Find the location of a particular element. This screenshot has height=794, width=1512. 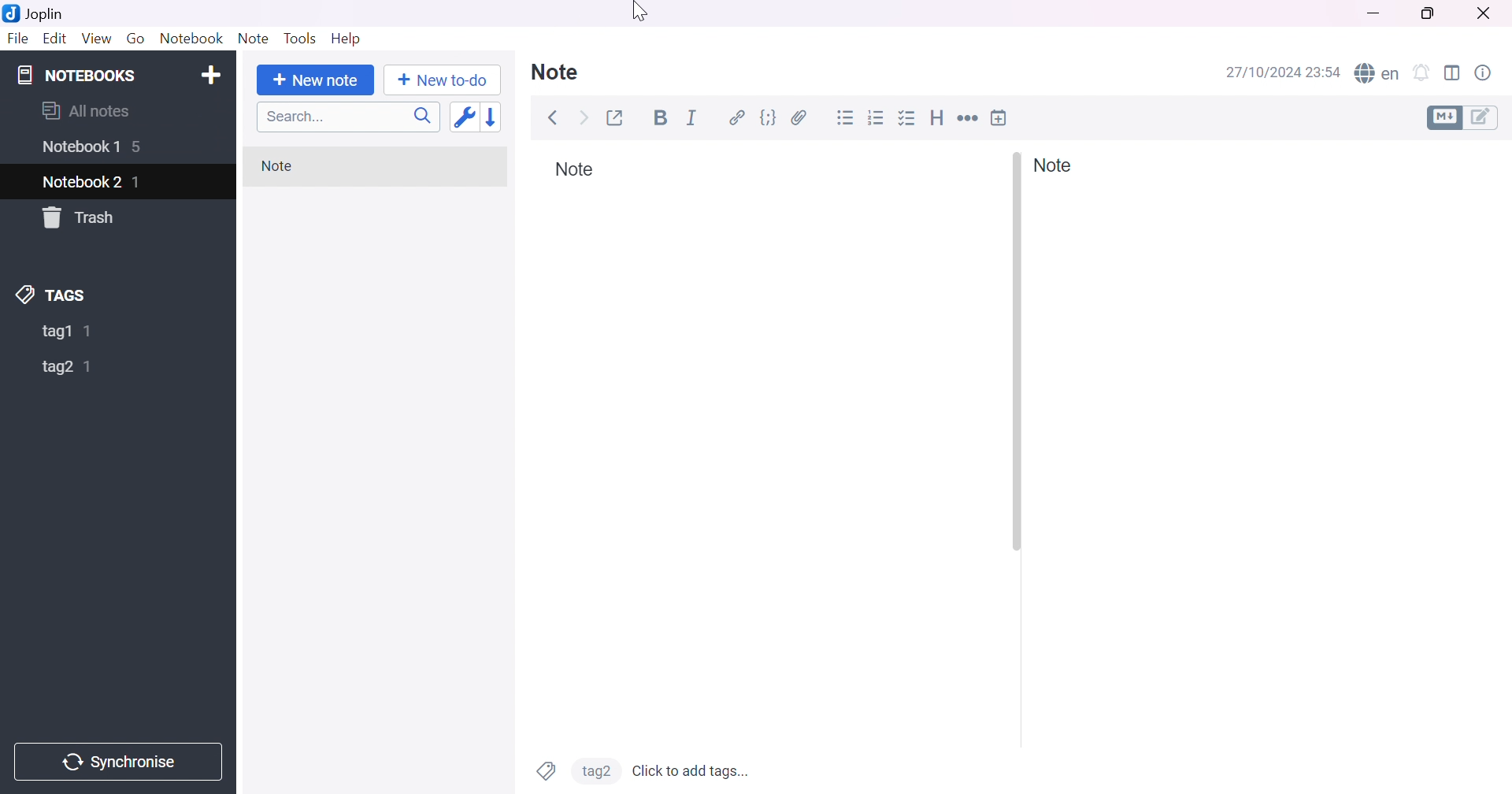

Checkbox is located at coordinates (909, 117).